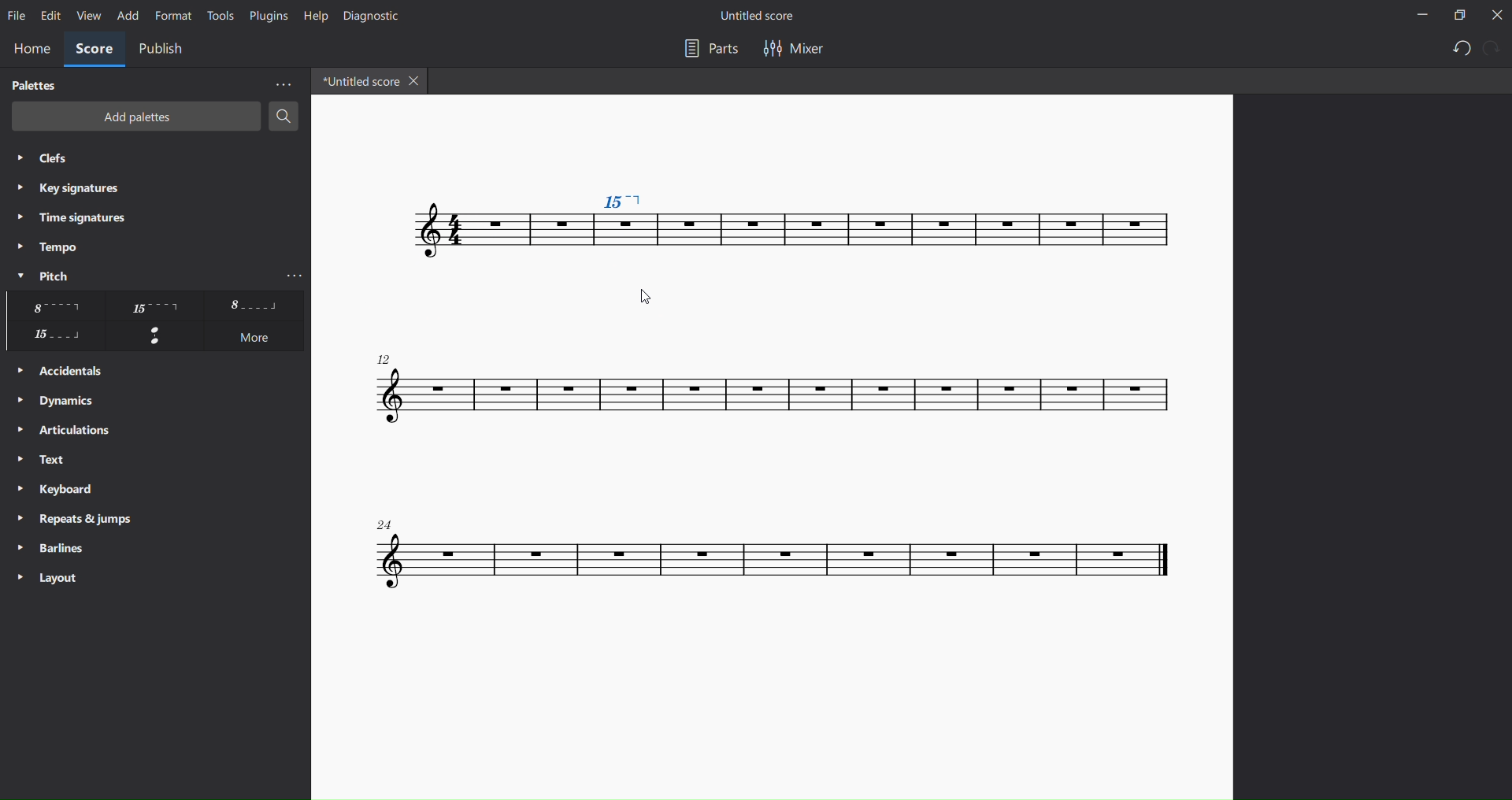 The width and height of the screenshot is (1512, 800). Describe the element at coordinates (421, 235) in the screenshot. I see `score` at that location.